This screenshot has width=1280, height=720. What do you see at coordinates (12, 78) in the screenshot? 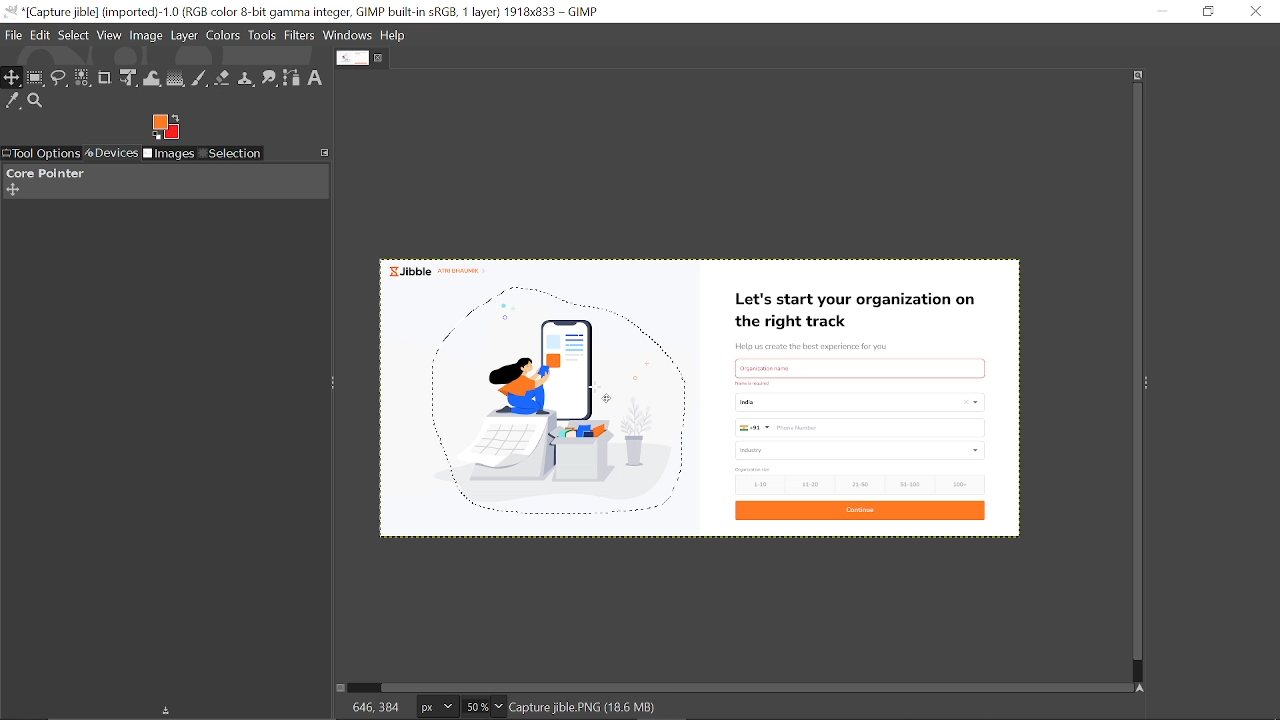
I see `Move tool` at bounding box center [12, 78].